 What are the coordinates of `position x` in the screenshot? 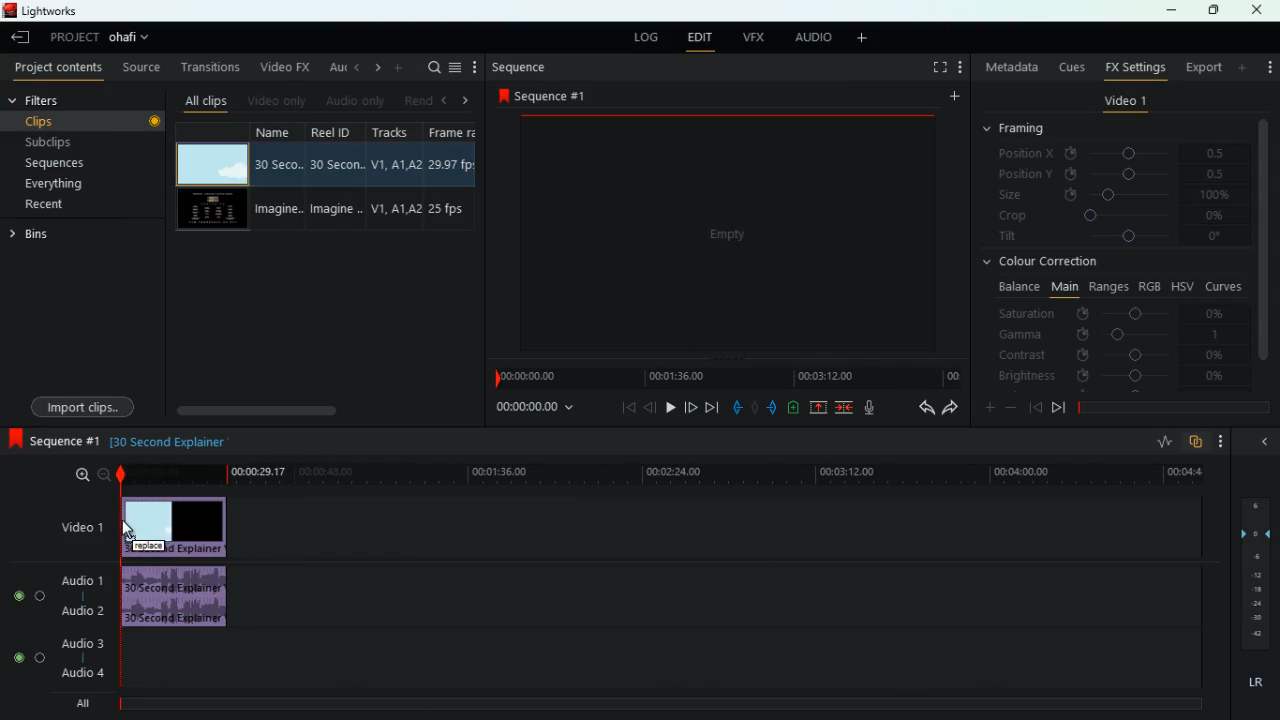 It's located at (1122, 154).